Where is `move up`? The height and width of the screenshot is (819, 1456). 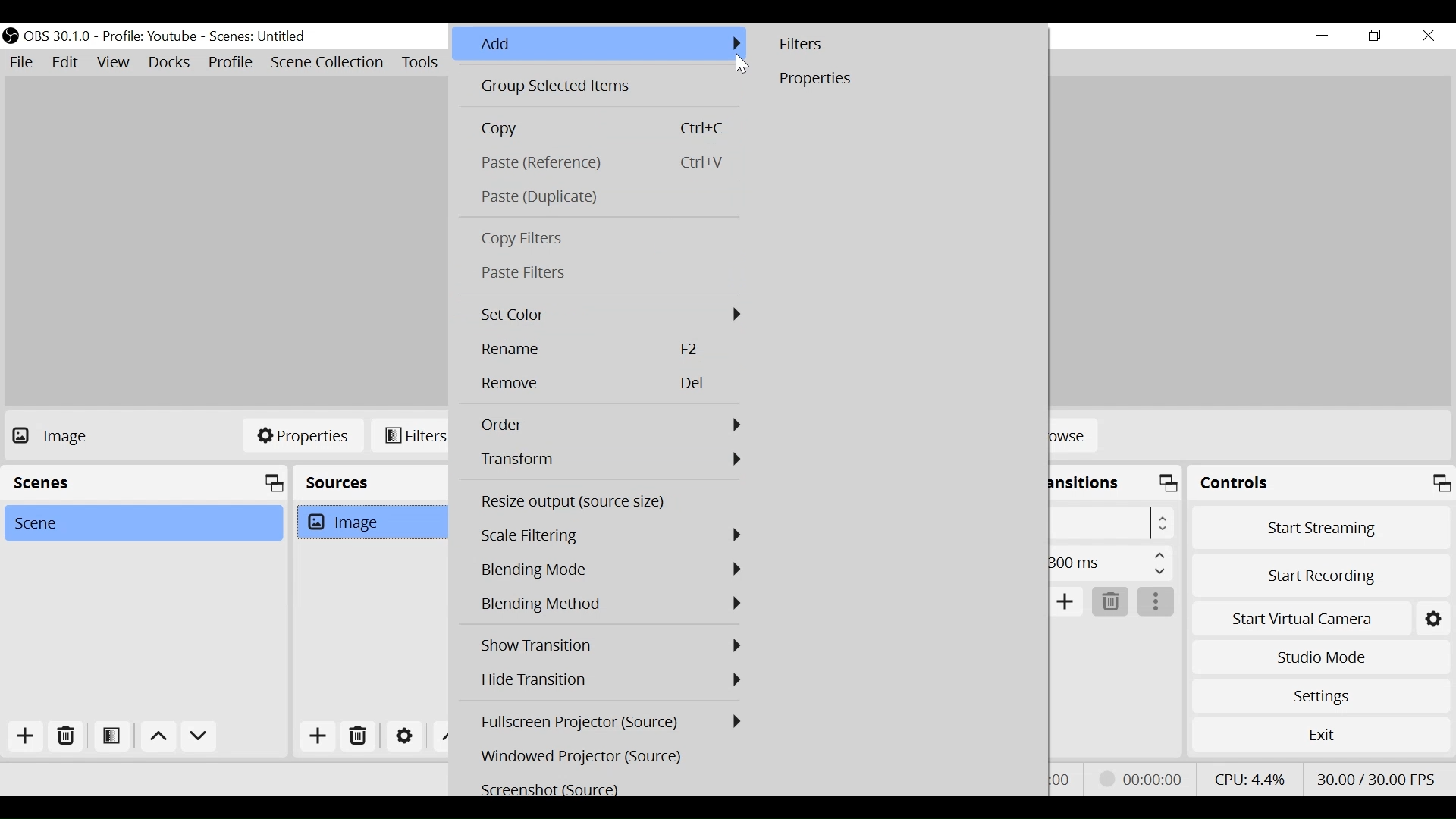 move up is located at coordinates (160, 737).